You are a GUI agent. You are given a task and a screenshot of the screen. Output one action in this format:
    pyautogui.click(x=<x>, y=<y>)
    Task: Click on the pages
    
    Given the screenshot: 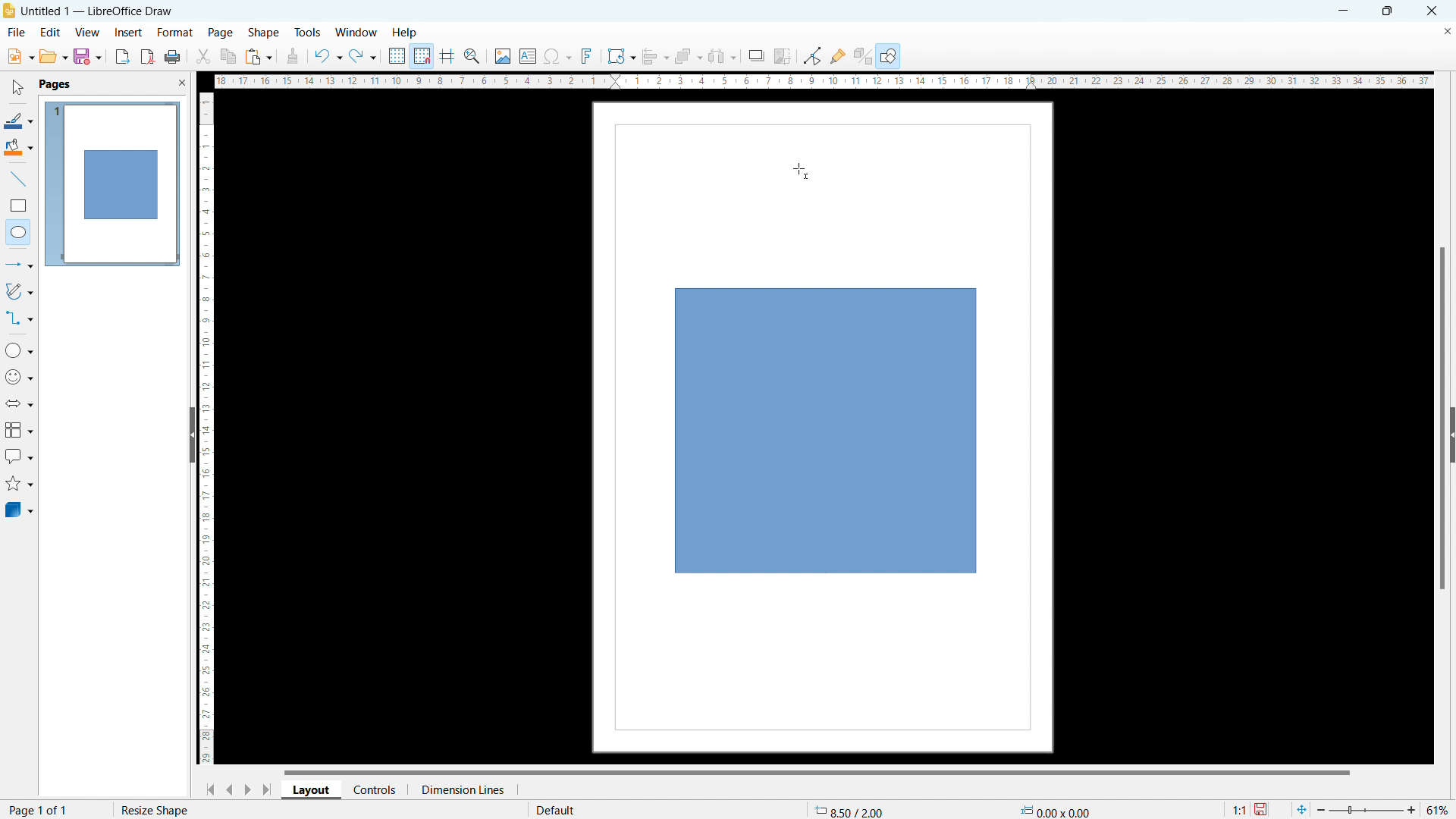 What is the action you would take?
    pyautogui.click(x=54, y=83)
    